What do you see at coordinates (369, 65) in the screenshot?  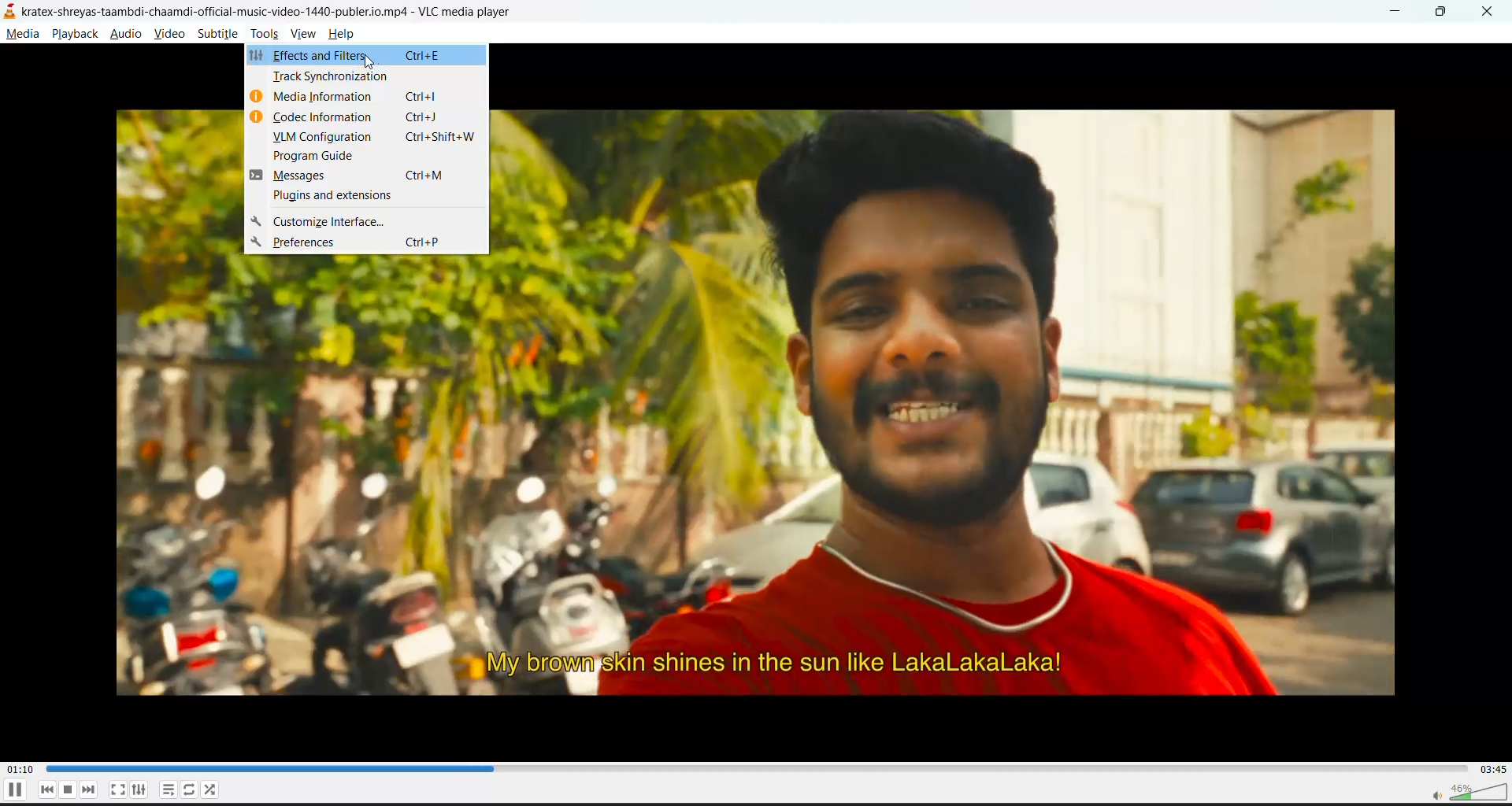 I see `cursor` at bounding box center [369, 65].